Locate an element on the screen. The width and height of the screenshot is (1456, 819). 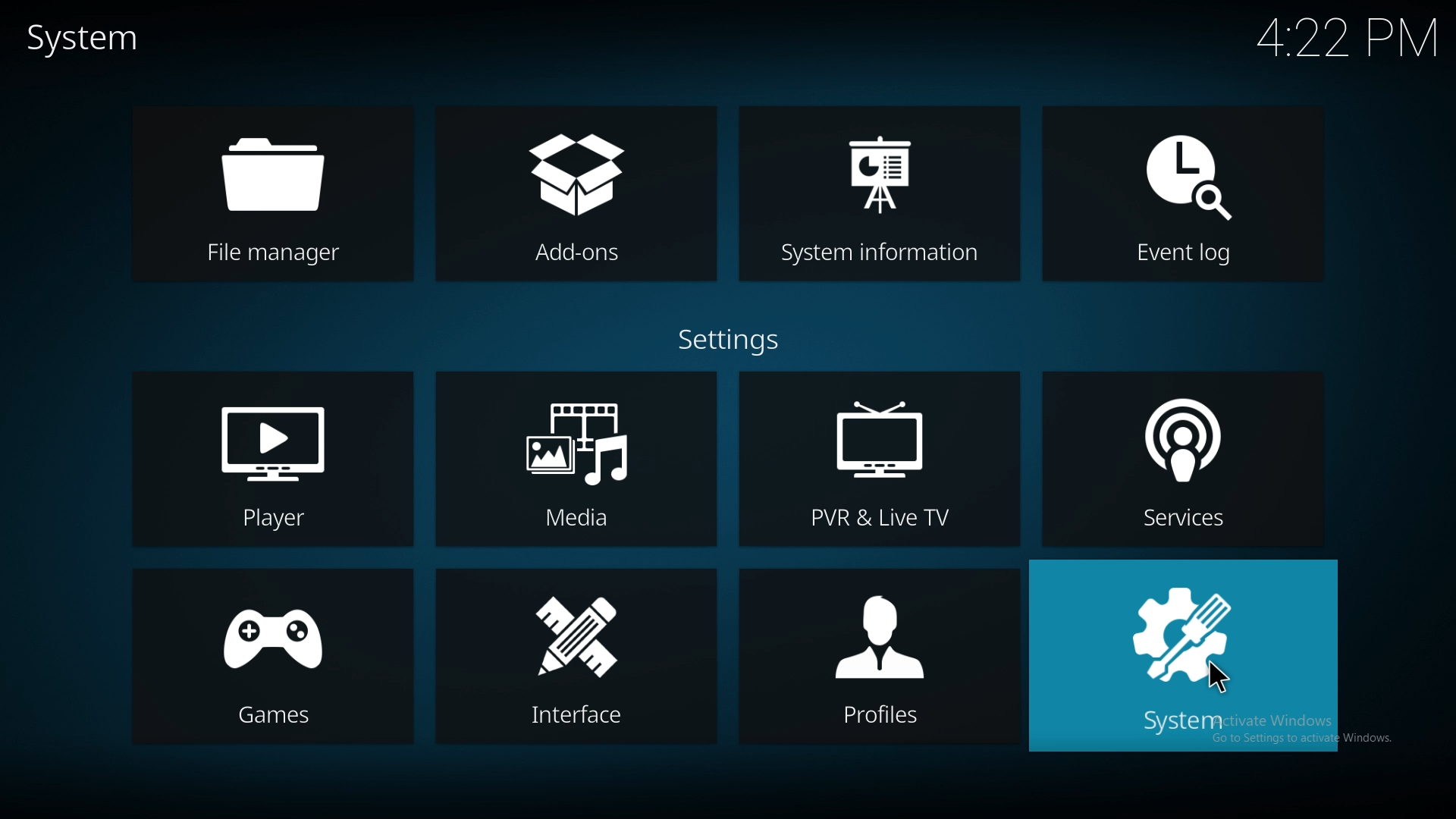
event log is located at coordinates (1185, 193).